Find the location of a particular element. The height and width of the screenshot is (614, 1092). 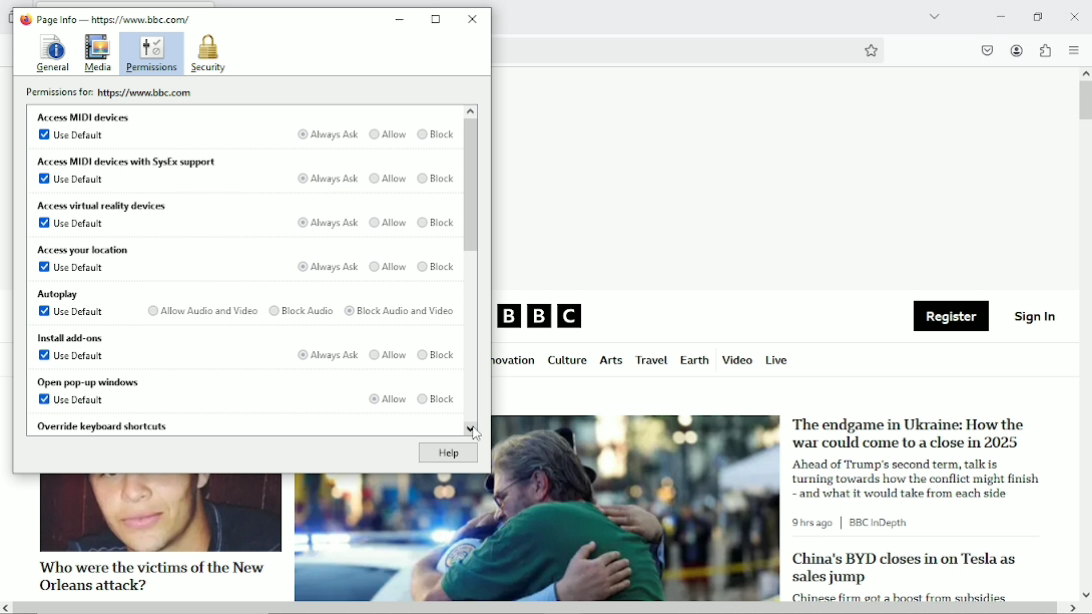

Travel is located at coordinates (649, 360).